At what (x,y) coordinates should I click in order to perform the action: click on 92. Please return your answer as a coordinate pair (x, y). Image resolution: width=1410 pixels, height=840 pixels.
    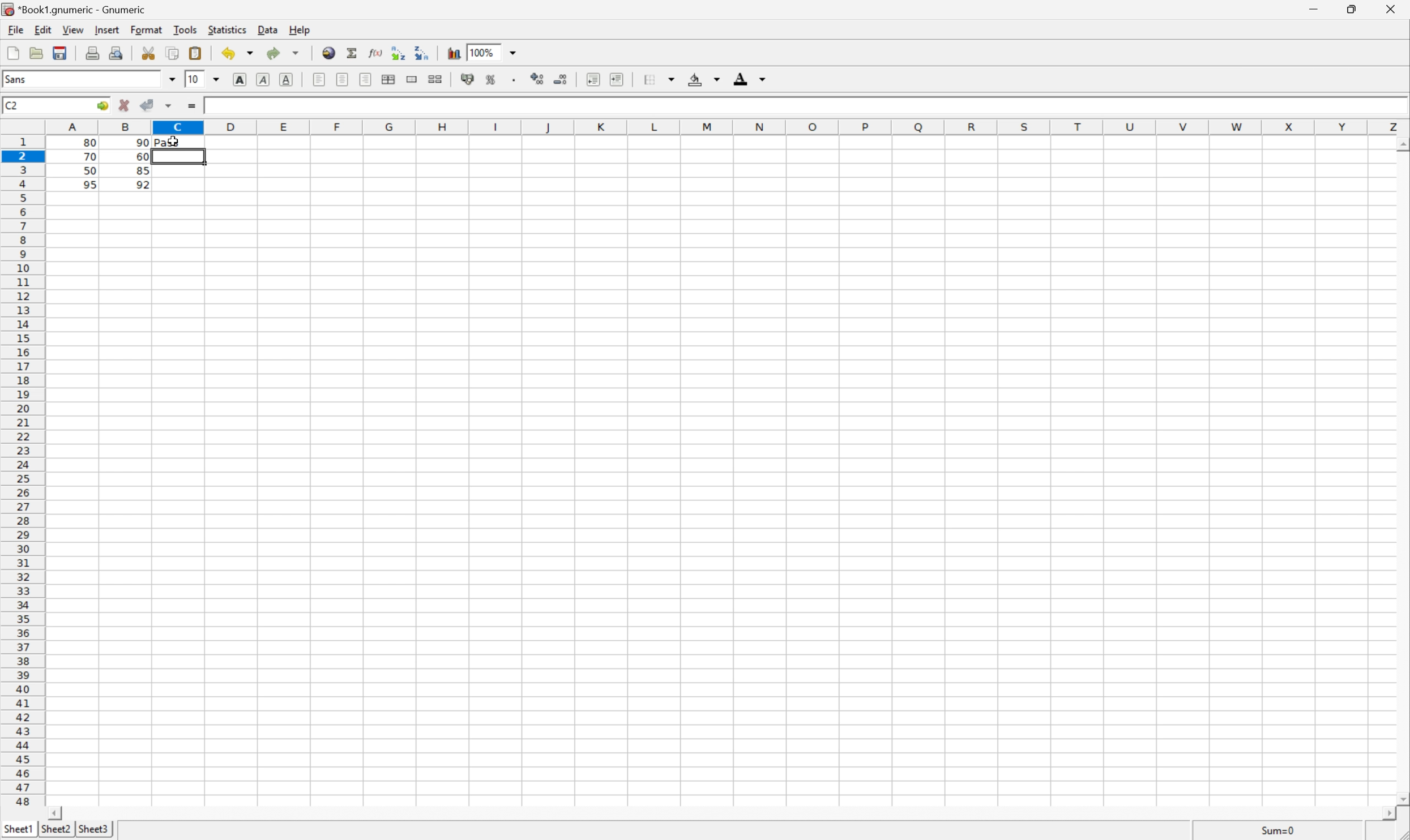
    Looking at the image, I should click on (143, 184).